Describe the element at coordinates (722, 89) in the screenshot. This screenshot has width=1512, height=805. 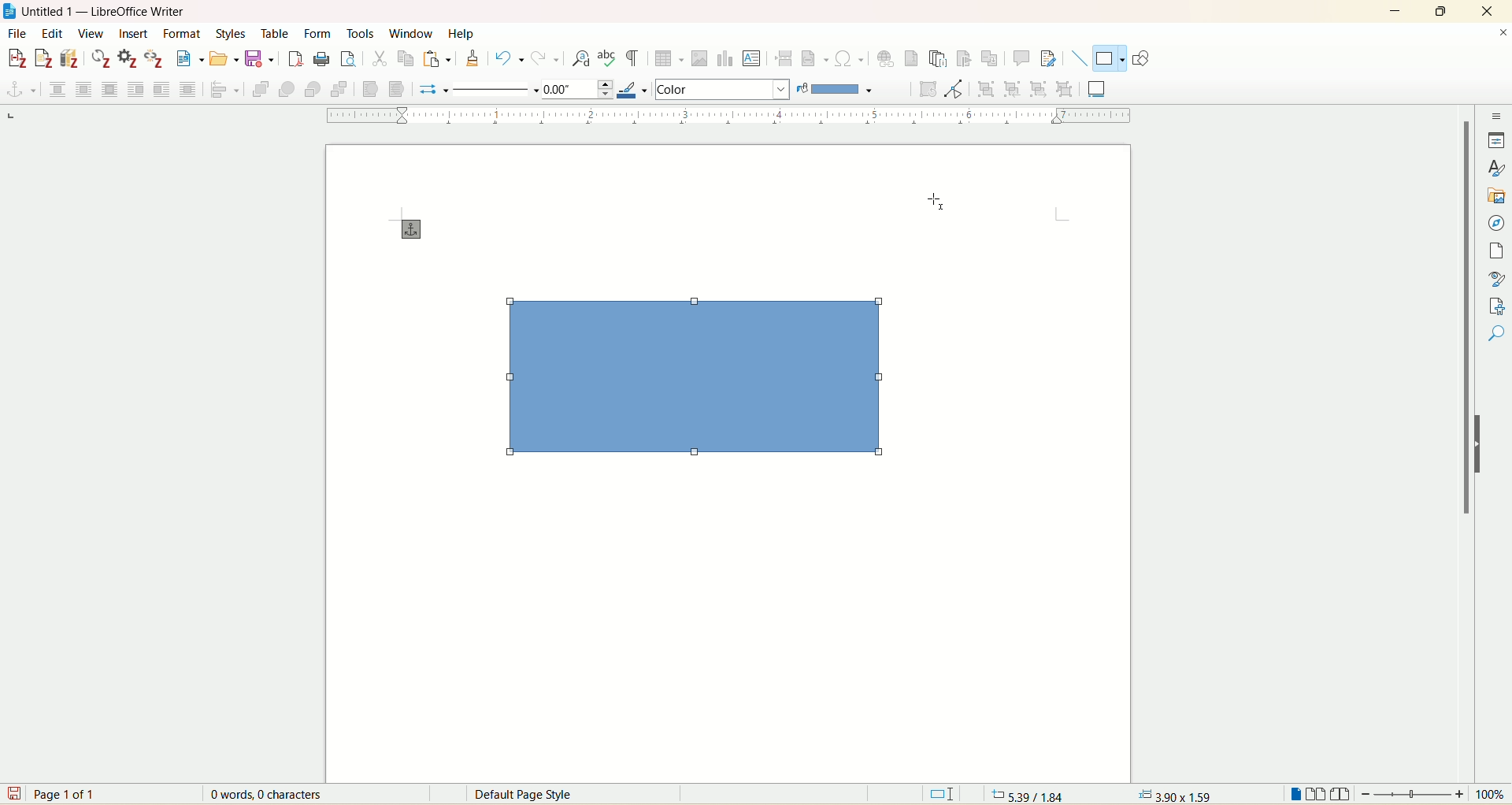
I see `area style` at that location.